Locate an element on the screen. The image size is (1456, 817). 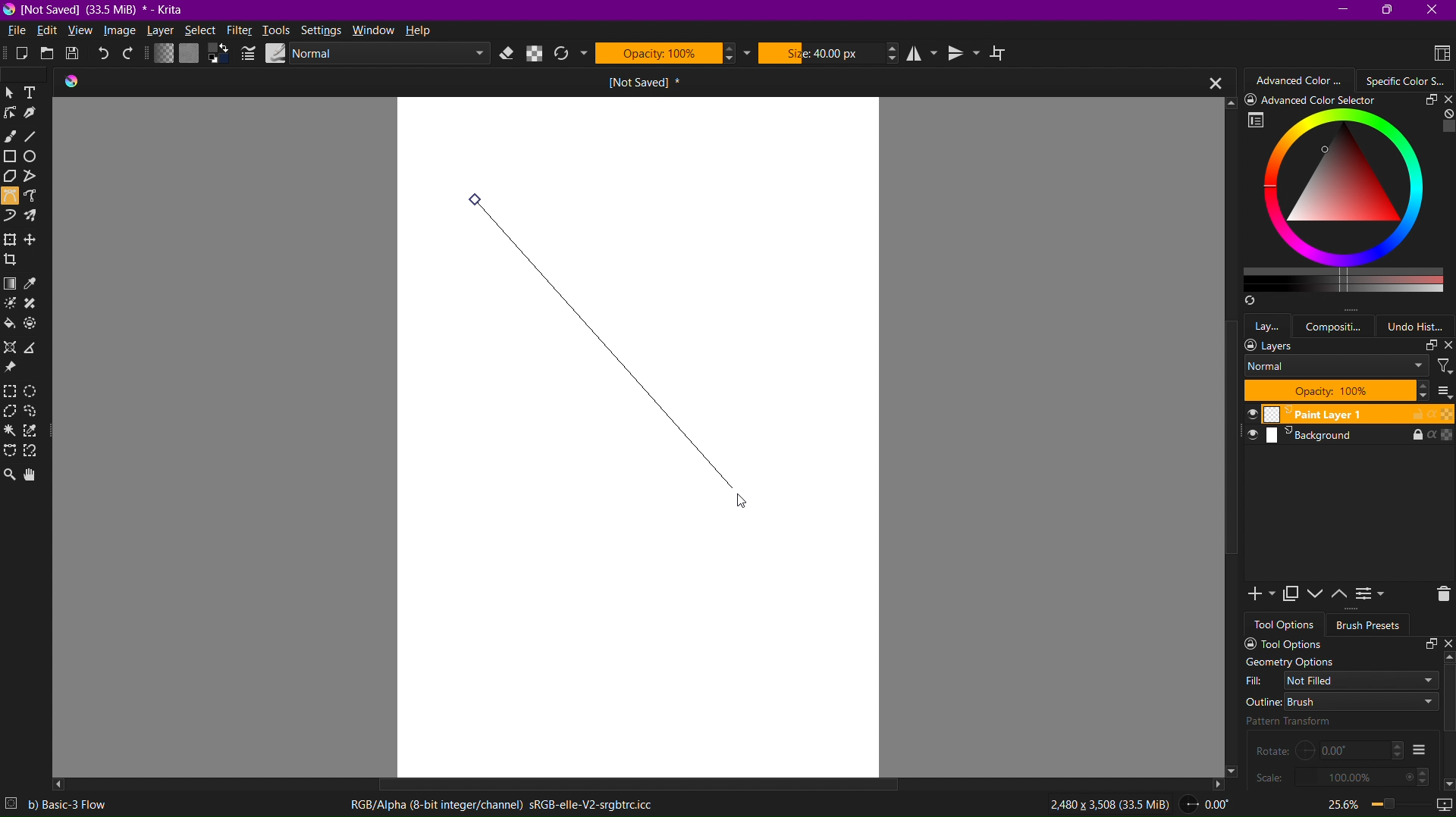
Scrollbar is located at coordinates (1228, 459).